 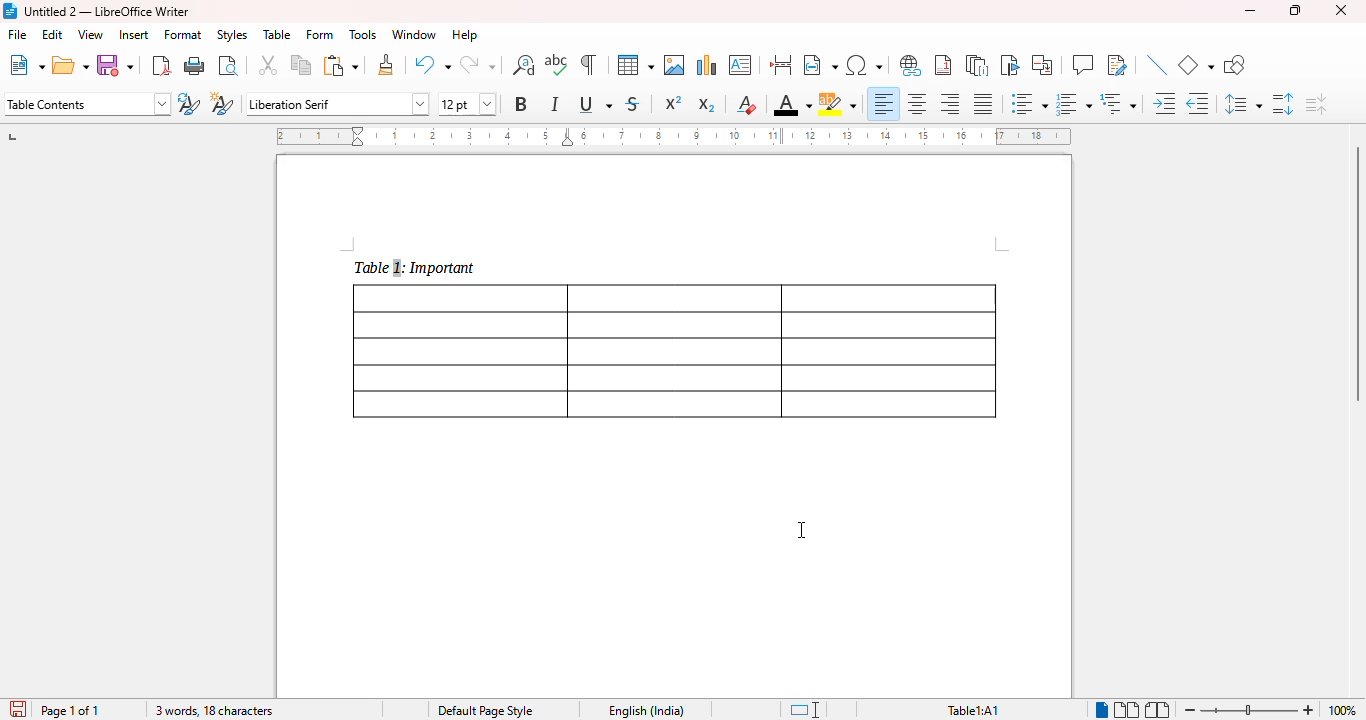 What do you see at coordinates (708, 65) in the screenshot?
I see `insert chart` at bounding box center [708, 65].